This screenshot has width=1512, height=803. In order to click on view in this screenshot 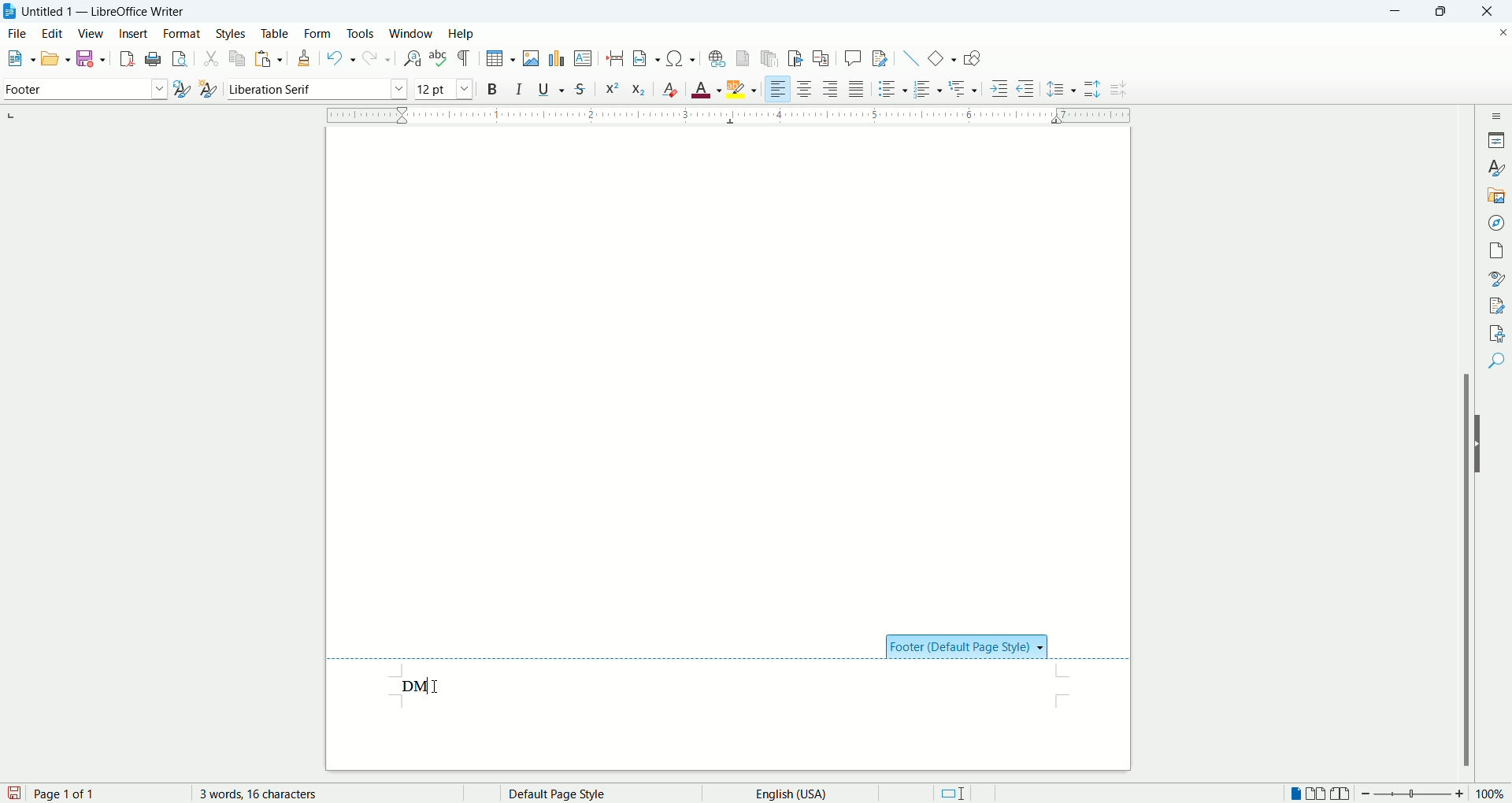, I will do `click(92, 34)`.